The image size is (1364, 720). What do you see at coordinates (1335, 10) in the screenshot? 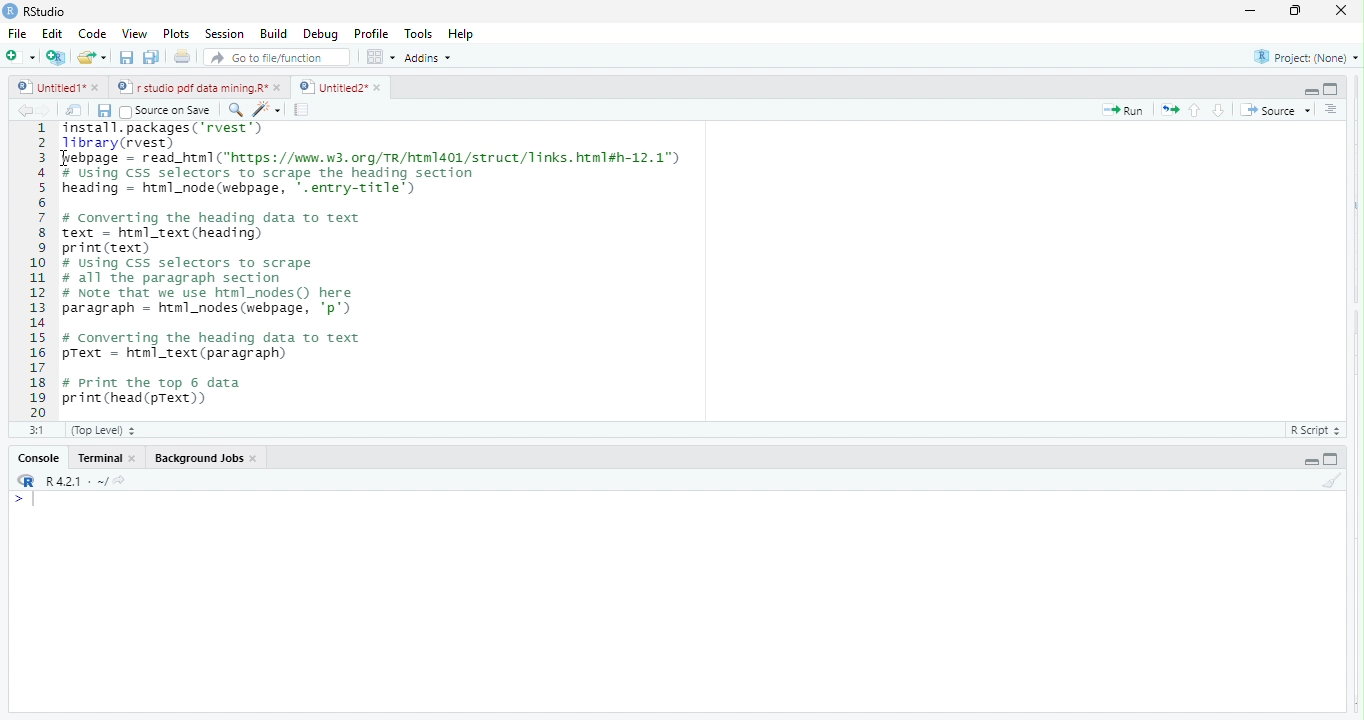
I see `close` at bounding box center [1335, 10].